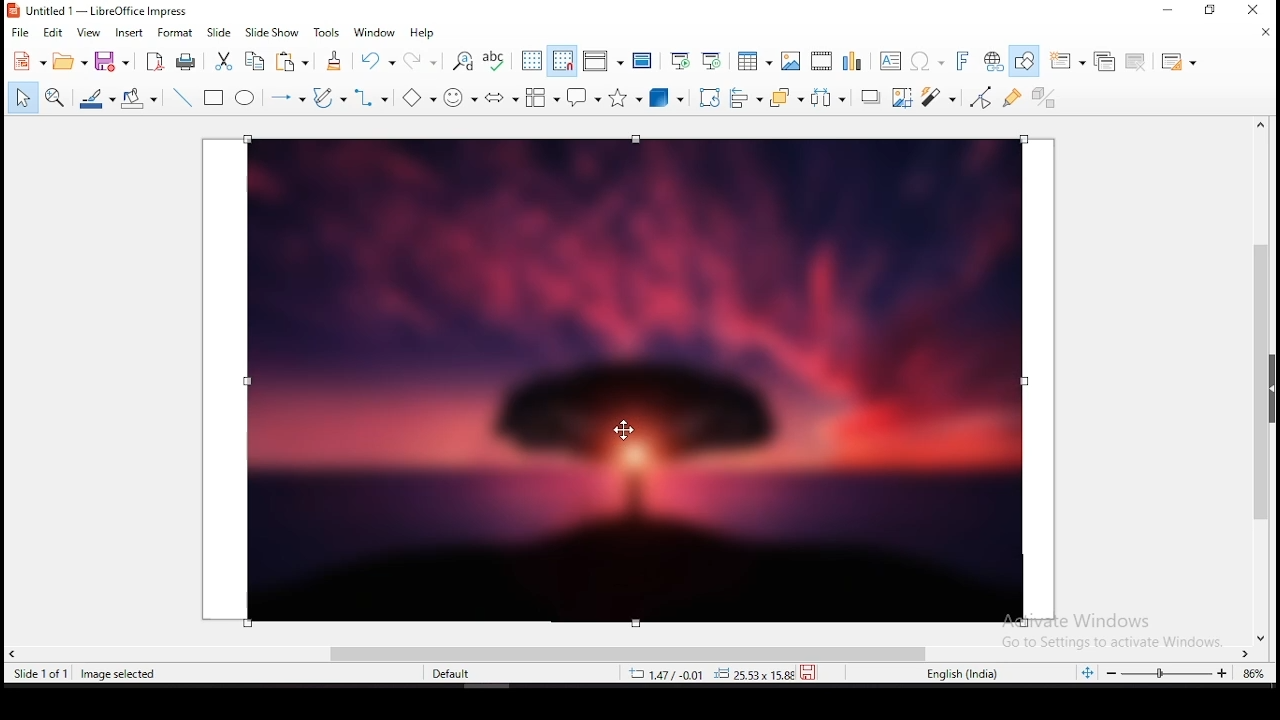  Describe the element at coordinates (215, 97) in the screenshot. I see `rectangle tool` at that location.